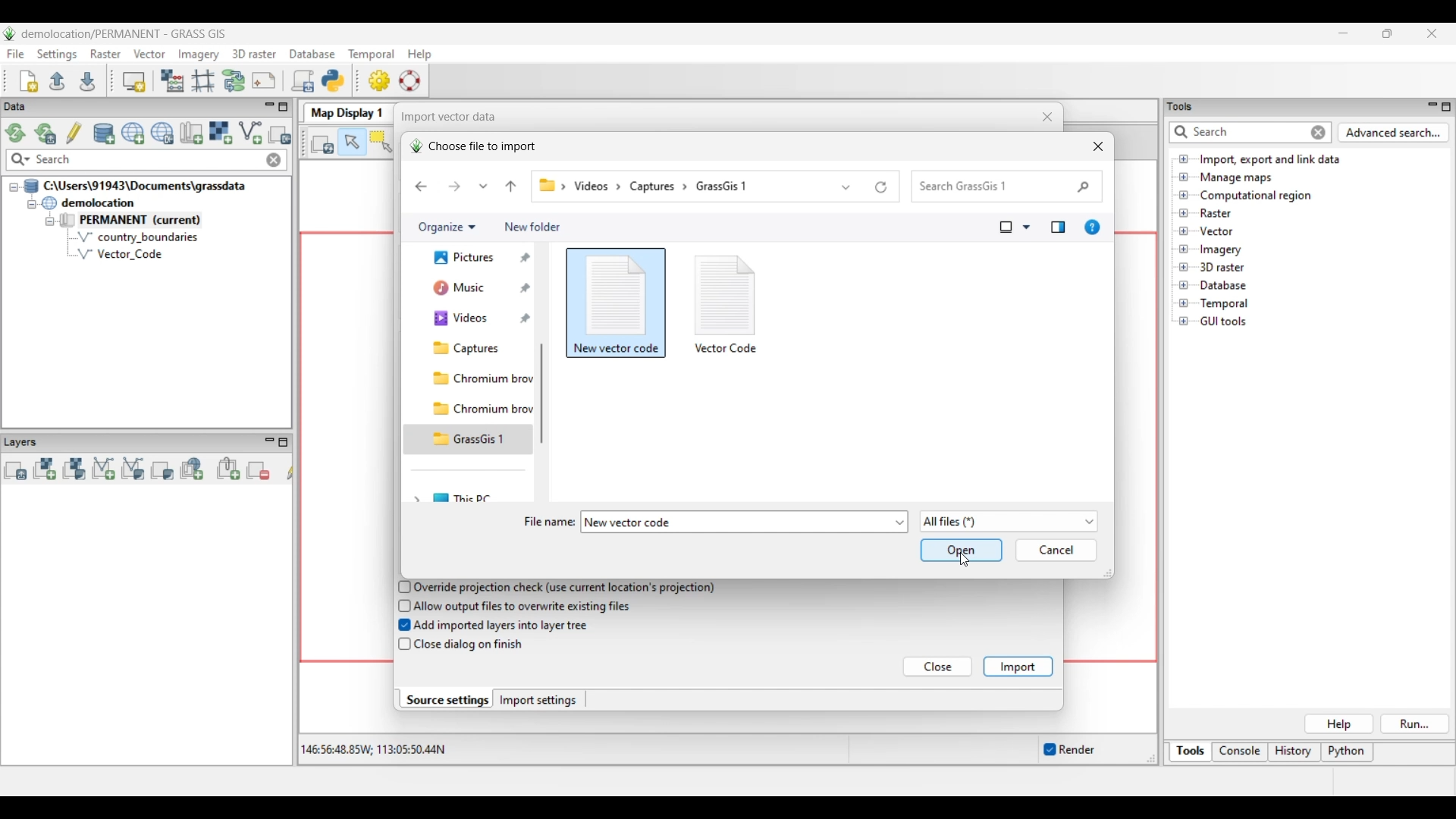 The width and height of the screenshot is (1456, 819). I want to click on Import settings, so click(538, 700).